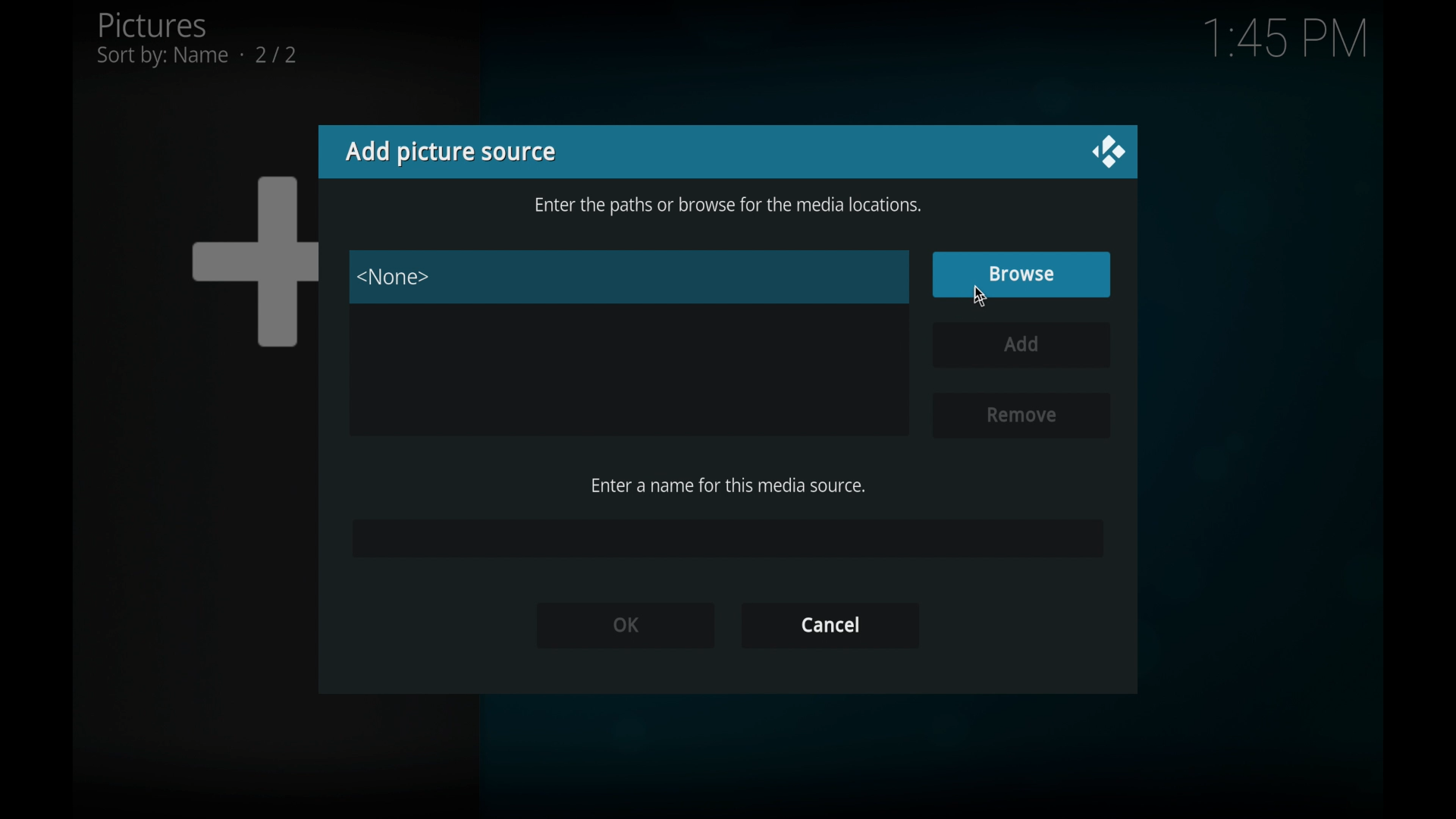 This screenshot has width=1456, height=819. Describe the element at coordinates (394, 278) in the screenshot. I see `none` at that location.